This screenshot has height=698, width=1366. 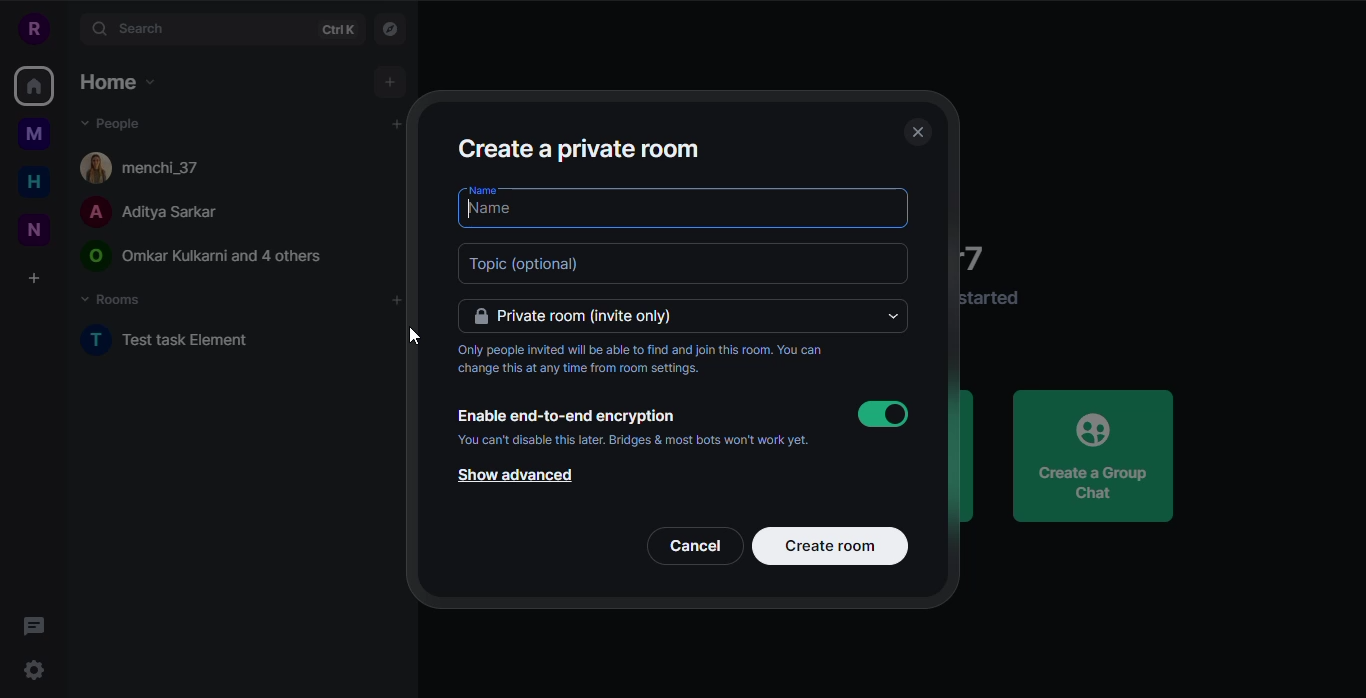 What do you see at coordinates (528, 262) in the screenshot?
I see `topic` at bounding box center [528, 262].